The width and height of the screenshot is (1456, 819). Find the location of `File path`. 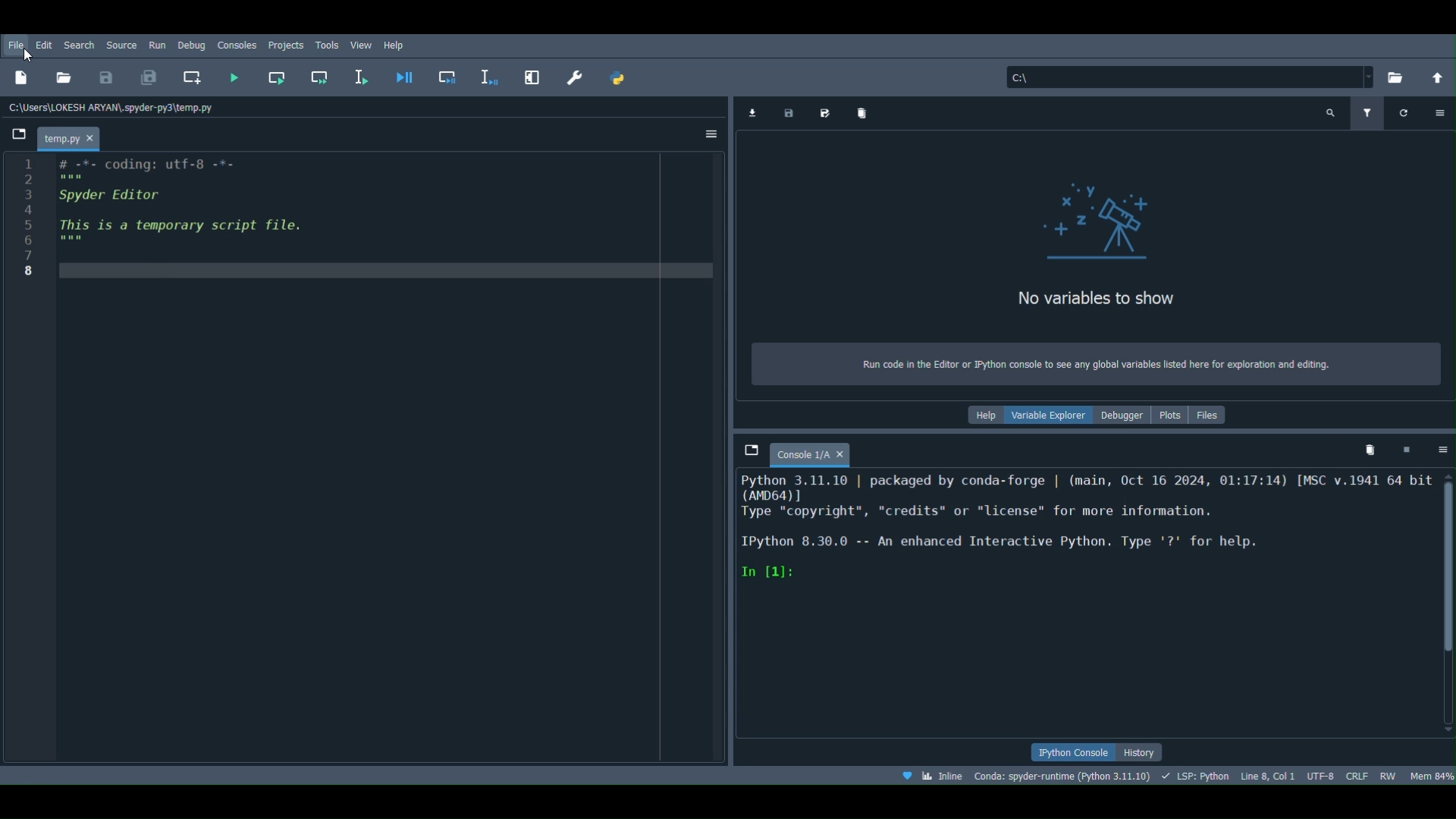

File path is located at coordinates (1191, 73).